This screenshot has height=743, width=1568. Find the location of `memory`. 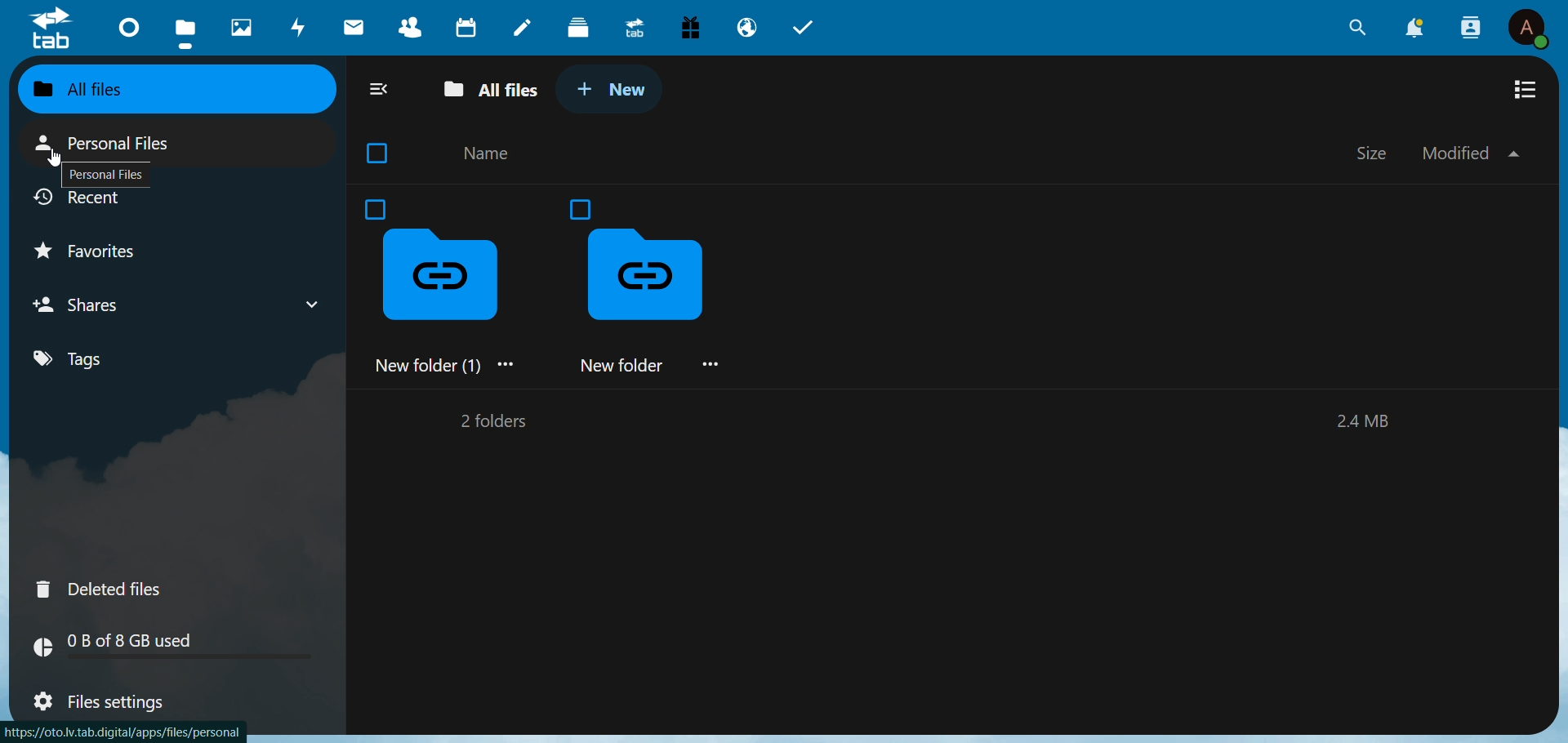

memory is located at coordinates (1366, 423).